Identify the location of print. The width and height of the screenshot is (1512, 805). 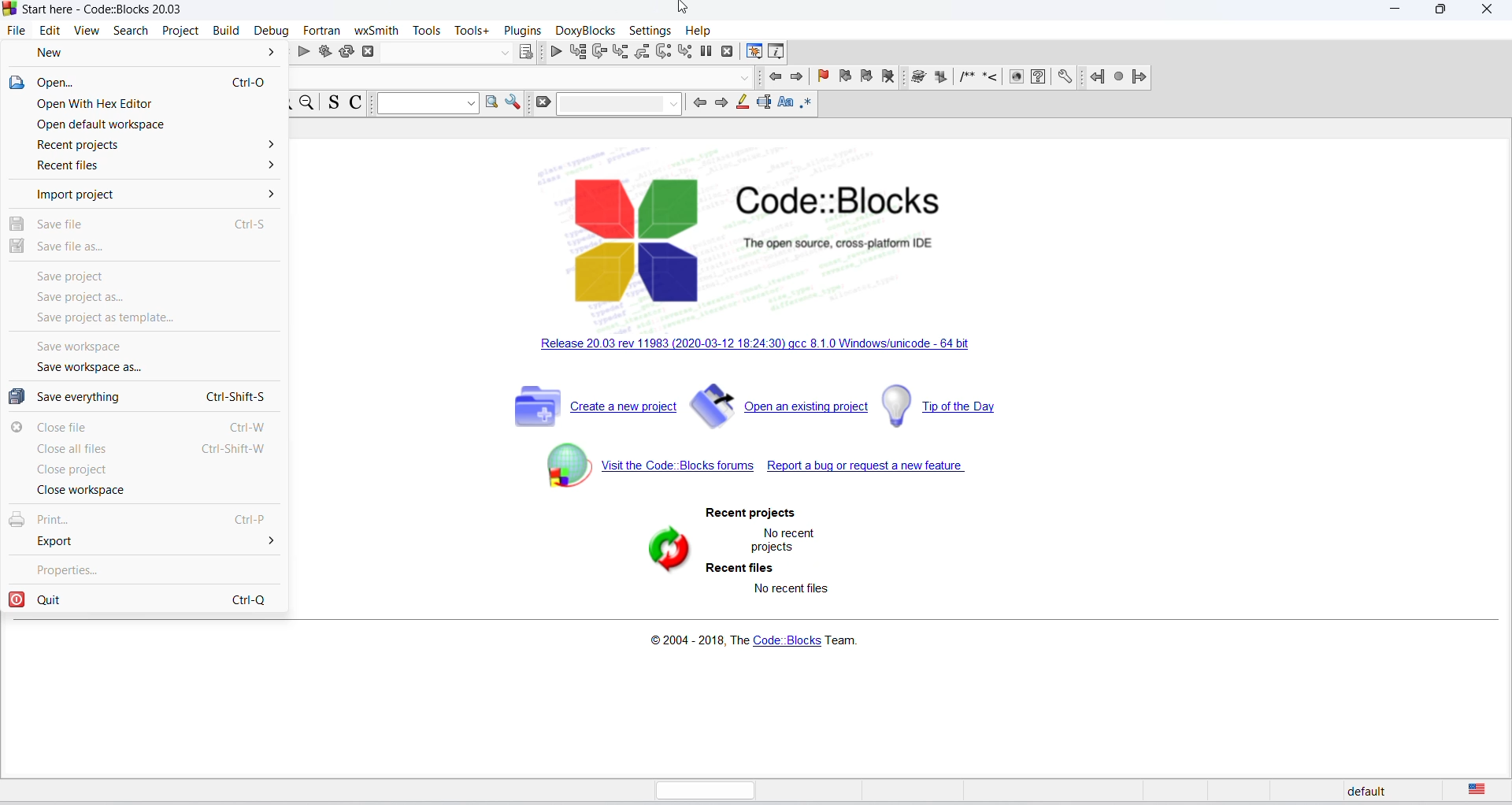
(154, 521).